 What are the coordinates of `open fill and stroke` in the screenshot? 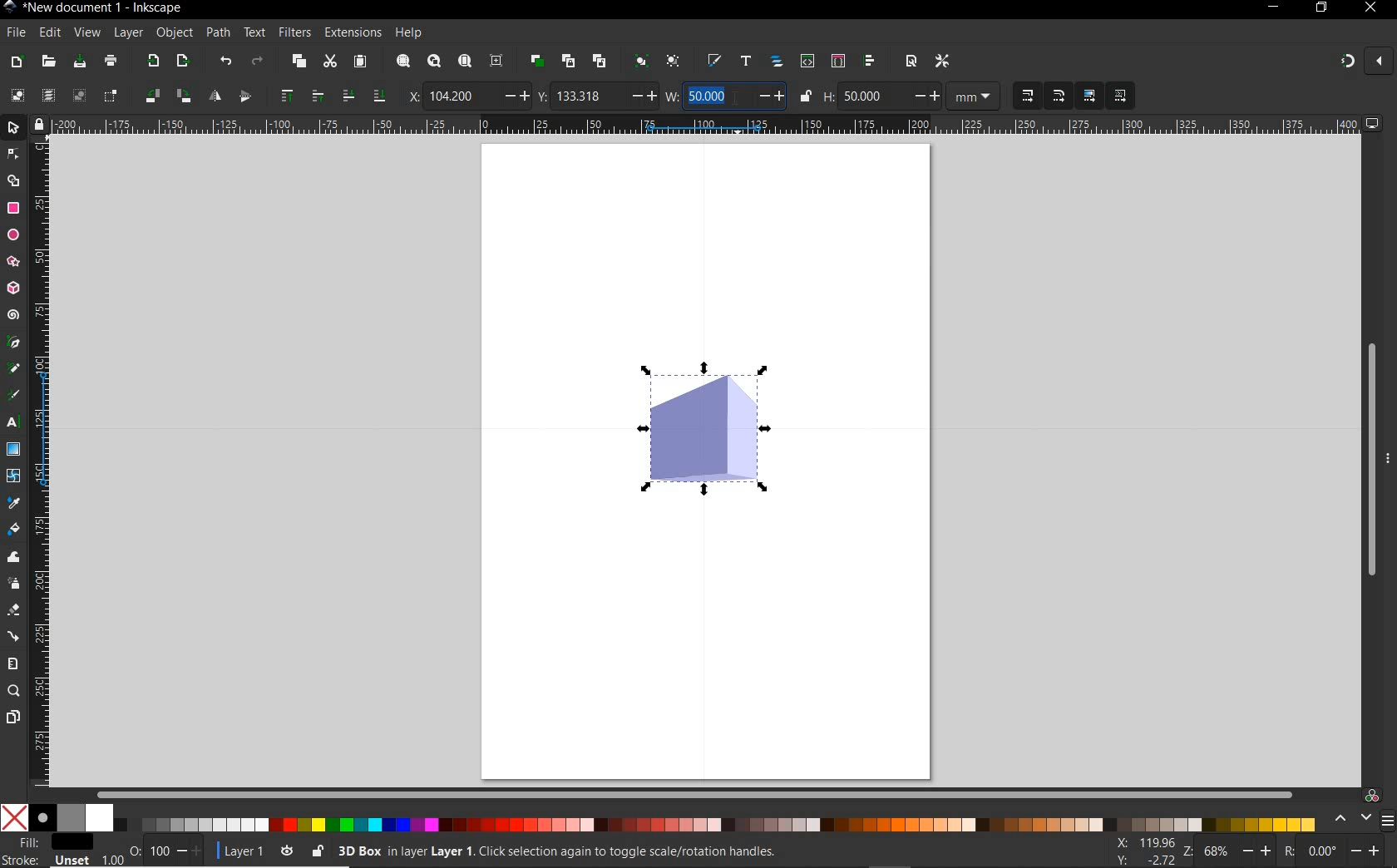 It's located at (713, 61).